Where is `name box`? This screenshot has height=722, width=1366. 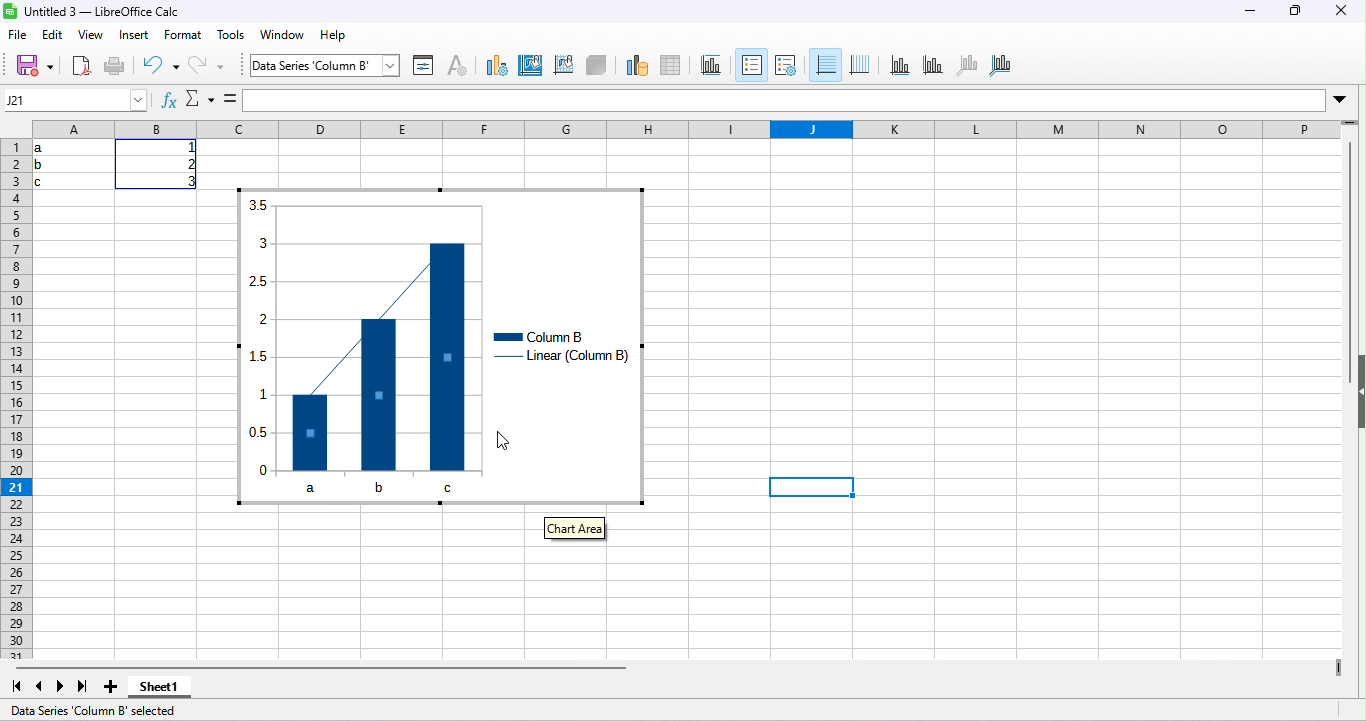
name box is located at coordinates (79, 101).